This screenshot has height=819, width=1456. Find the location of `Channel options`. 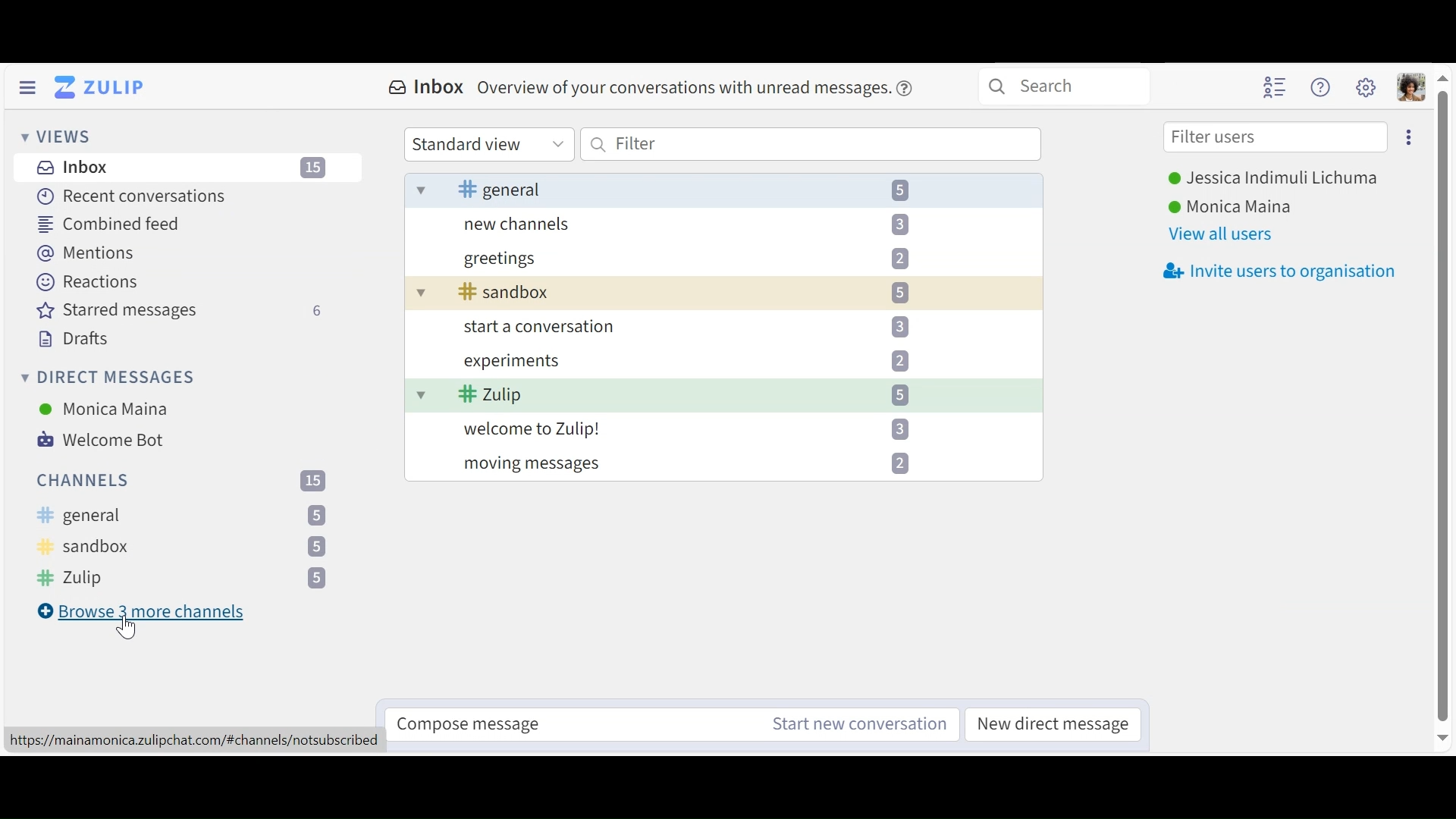

Channel options is located at coordinates (184, 547).